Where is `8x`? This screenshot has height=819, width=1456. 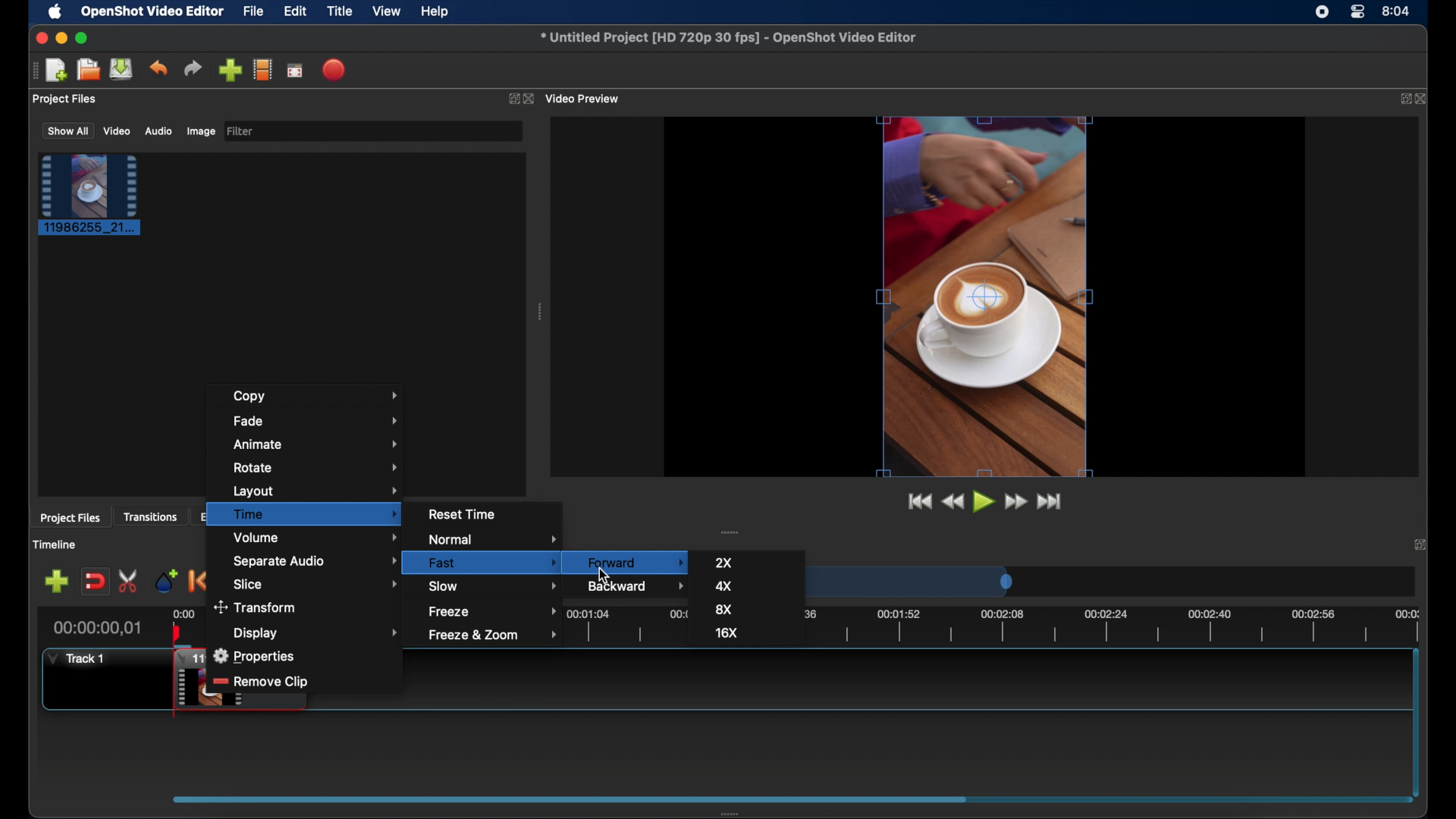
8x is located at coordinates (725, 609).